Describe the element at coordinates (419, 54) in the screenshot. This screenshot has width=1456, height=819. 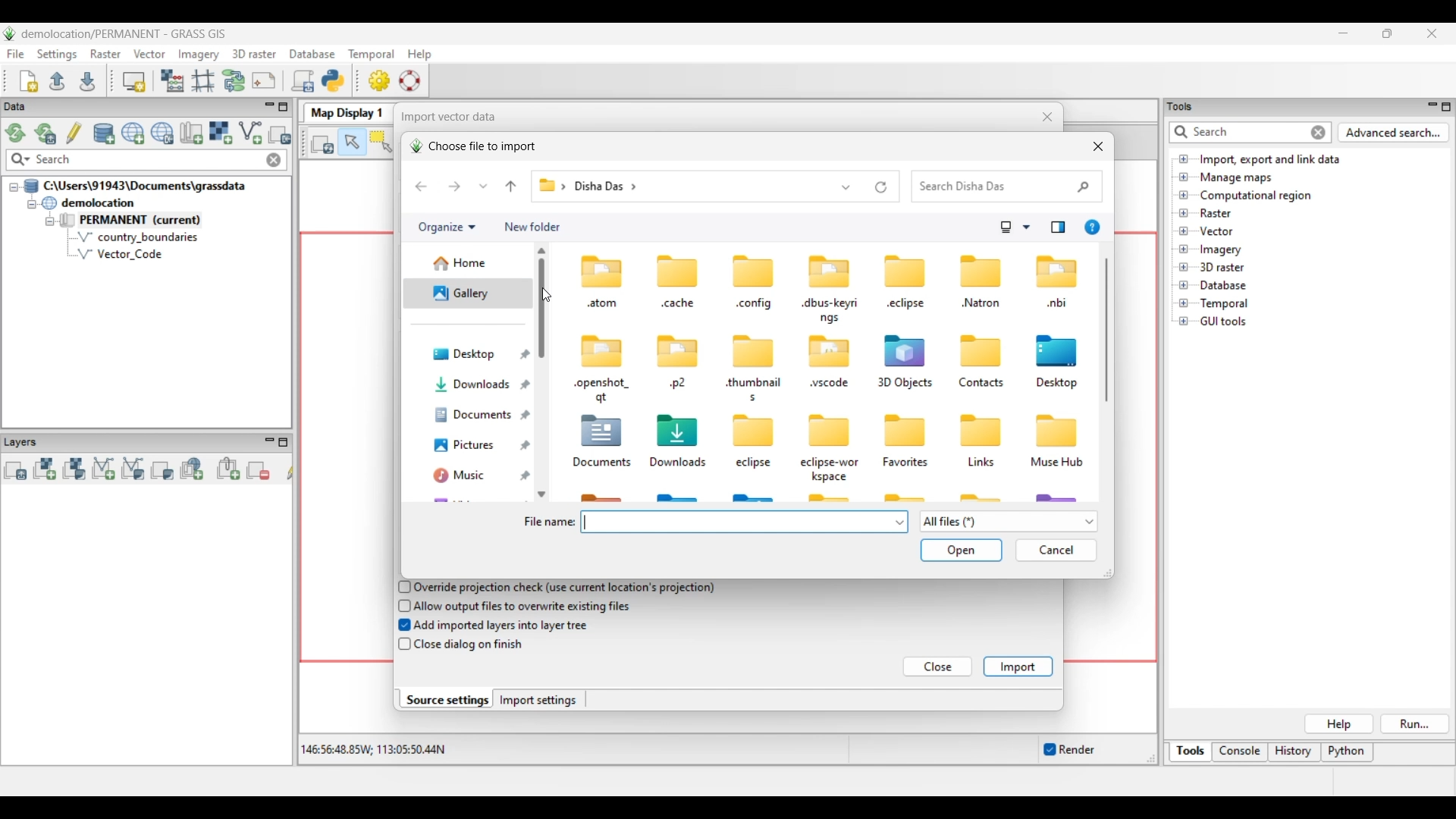
I see `Help menu` at that location.